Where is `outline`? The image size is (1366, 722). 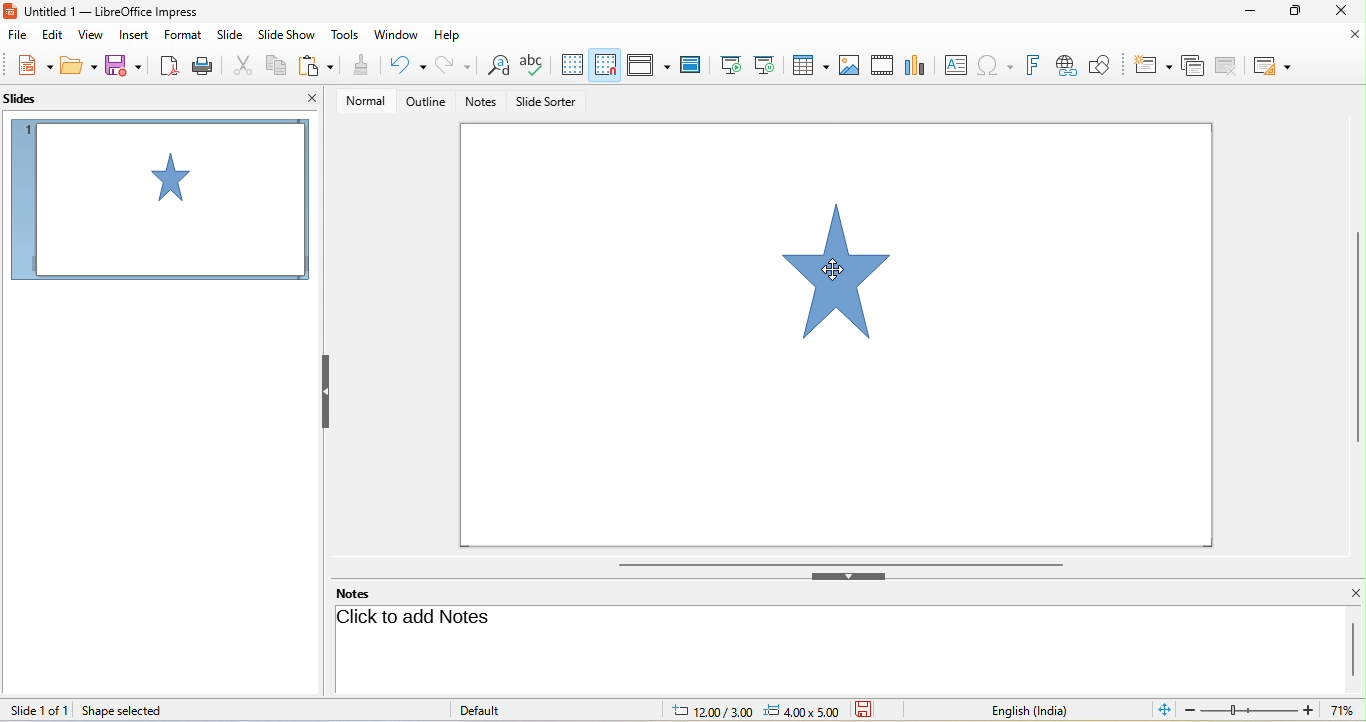 outline is located at coordinates (429, 105).